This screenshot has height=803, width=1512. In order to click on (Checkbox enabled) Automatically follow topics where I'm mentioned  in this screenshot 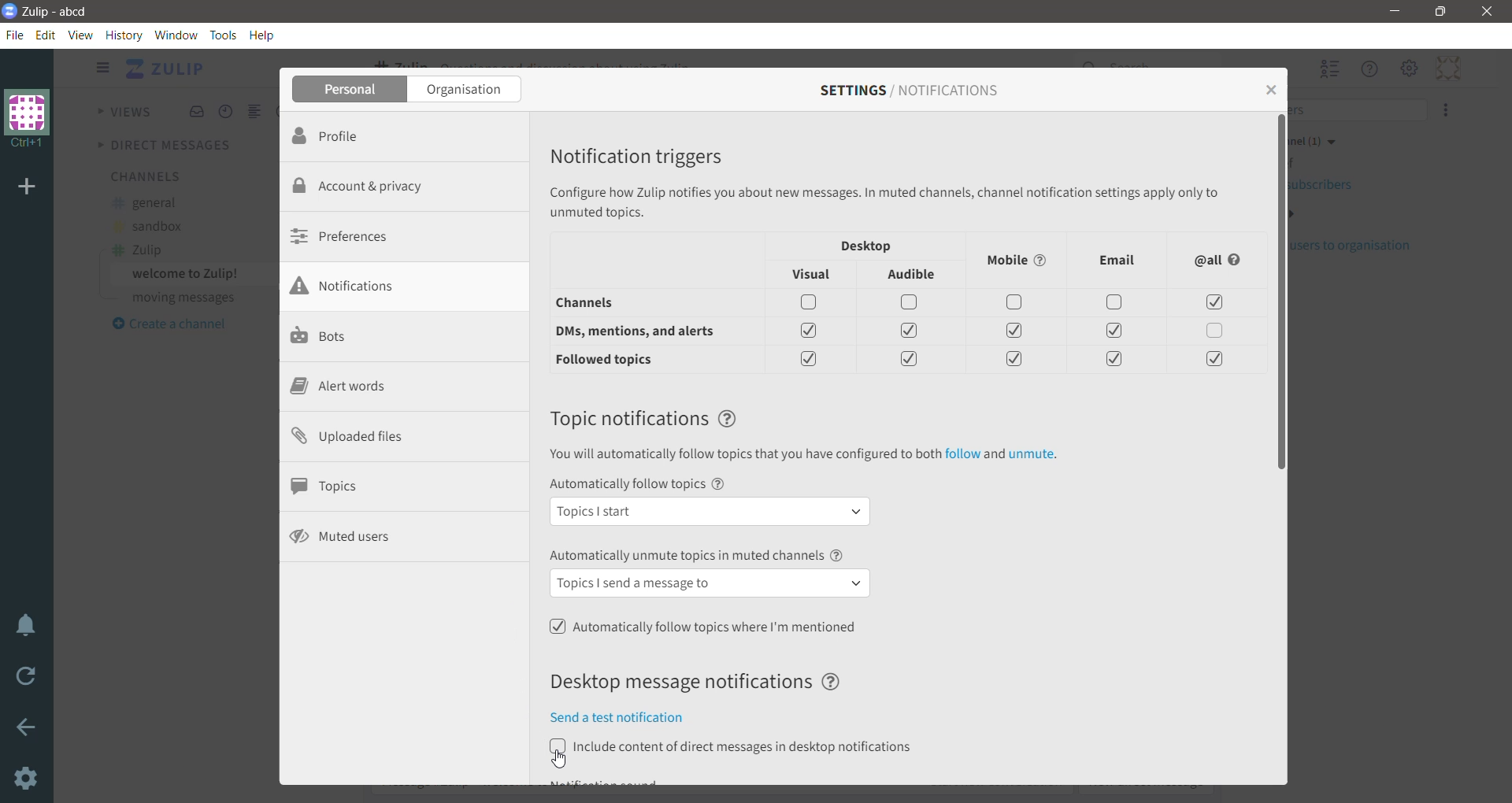, I will do `click(705, 627)`.